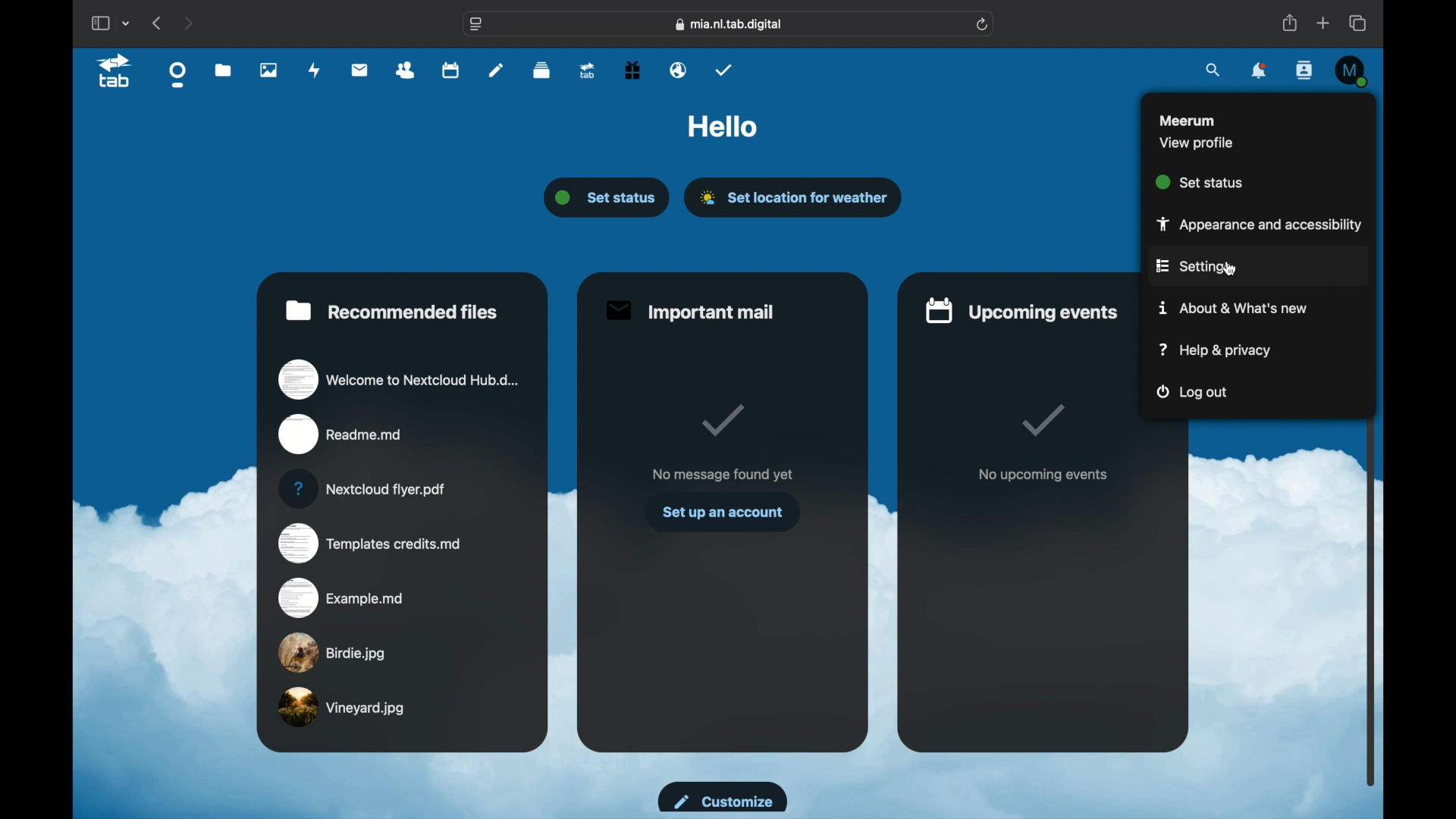 The image size is (1456, 819). Describe the element at coordinates (795, 197) in the screenshot. I see `set location for weather` at that location.